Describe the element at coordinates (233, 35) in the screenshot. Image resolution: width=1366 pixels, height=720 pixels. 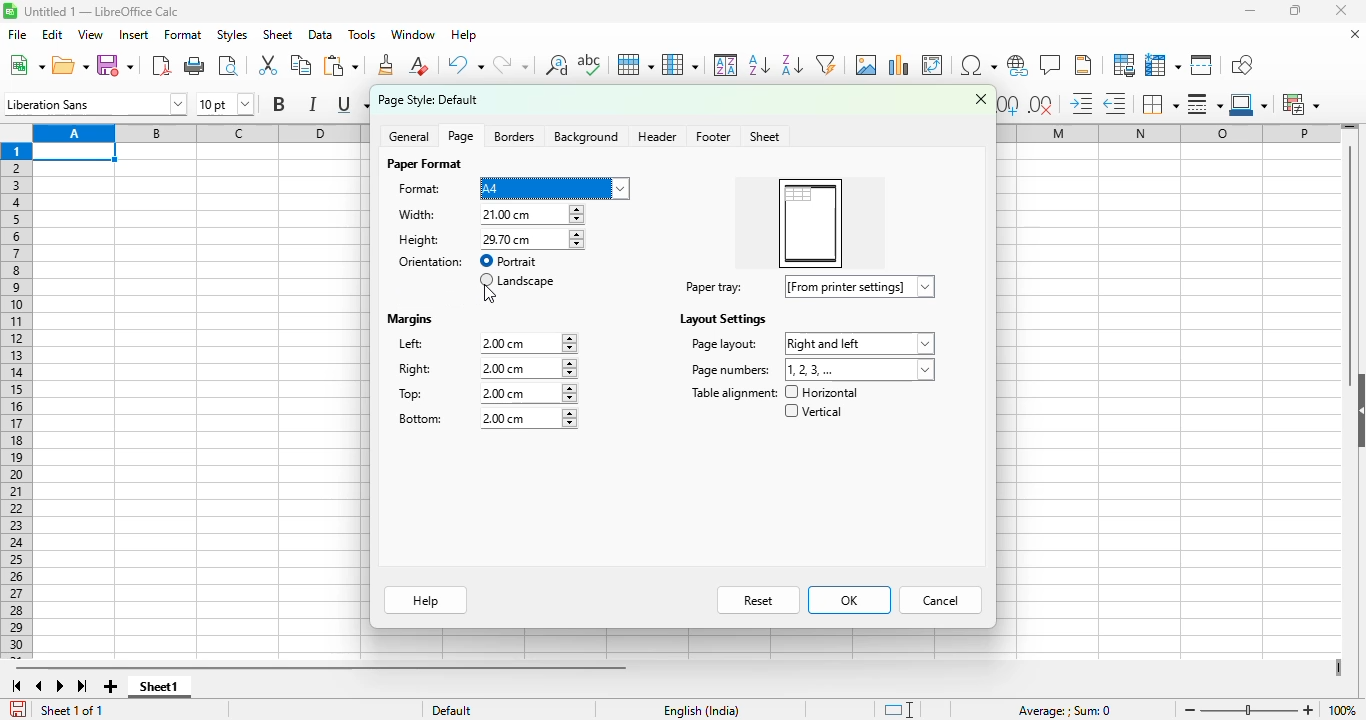
I see `styles` at that location.